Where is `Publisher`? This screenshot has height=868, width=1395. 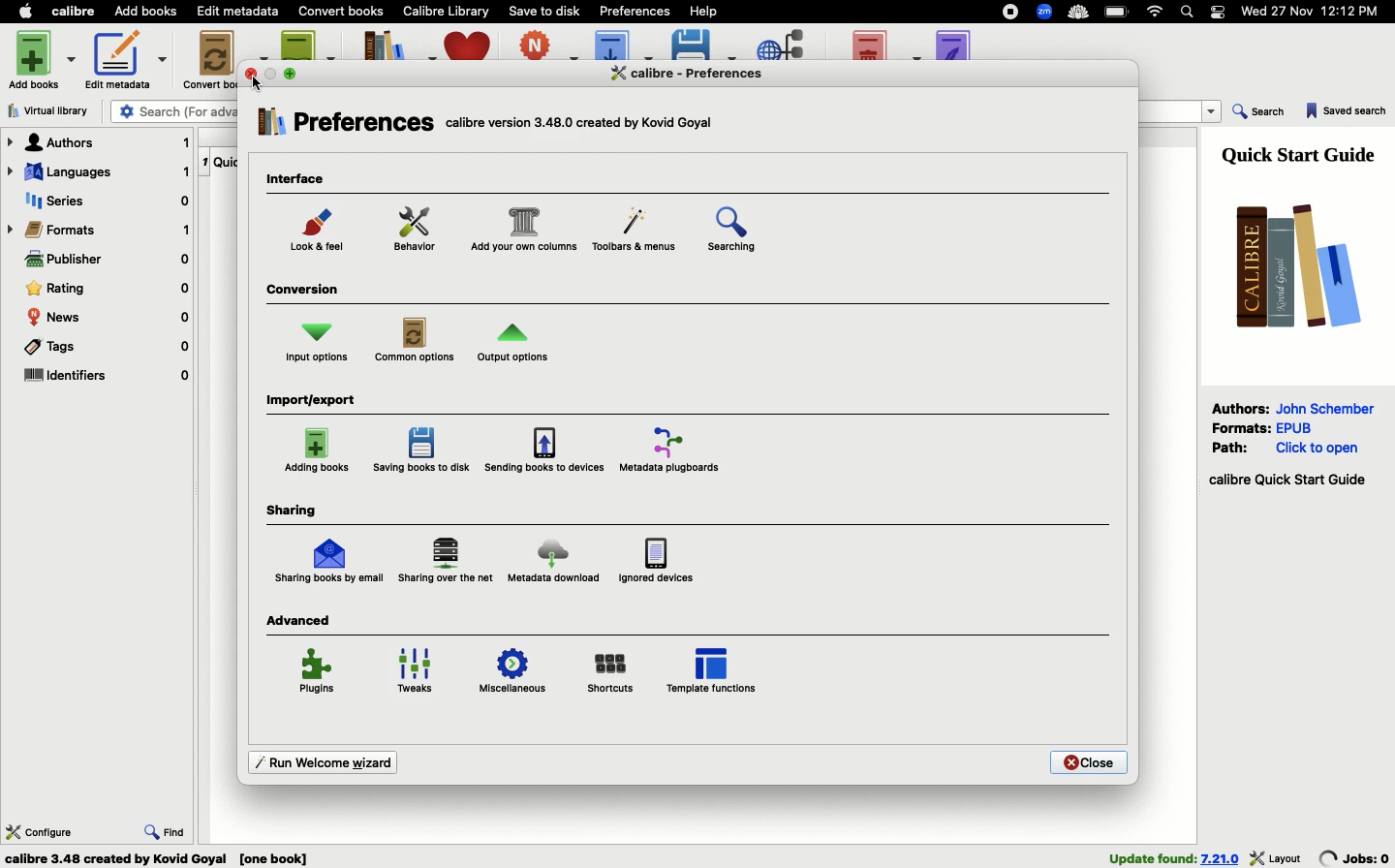 Publisher is located at coordinates (107, 262).